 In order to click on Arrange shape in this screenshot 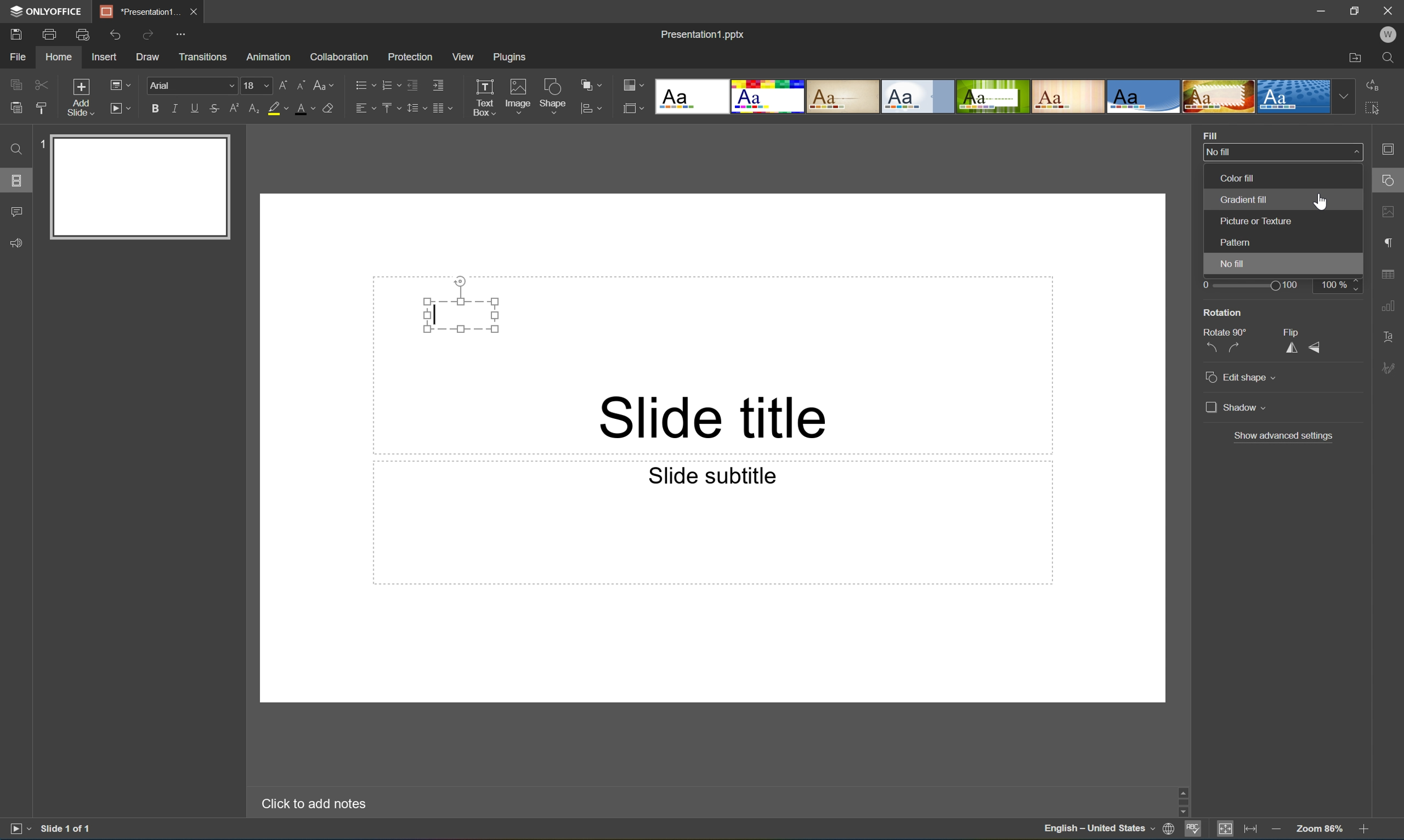, I will do `click(594, 85)`.